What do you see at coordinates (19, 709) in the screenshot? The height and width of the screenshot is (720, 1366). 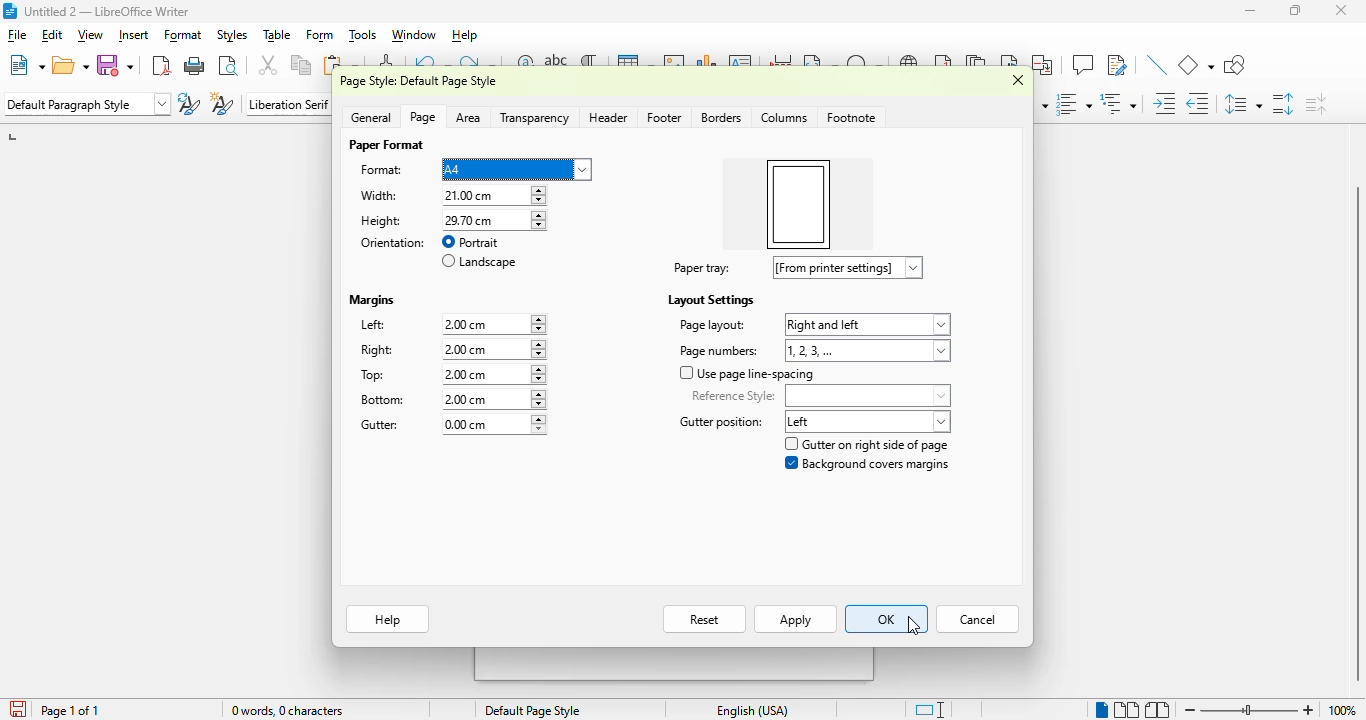 I see `click to save the document` at bounding box center [19, 709].